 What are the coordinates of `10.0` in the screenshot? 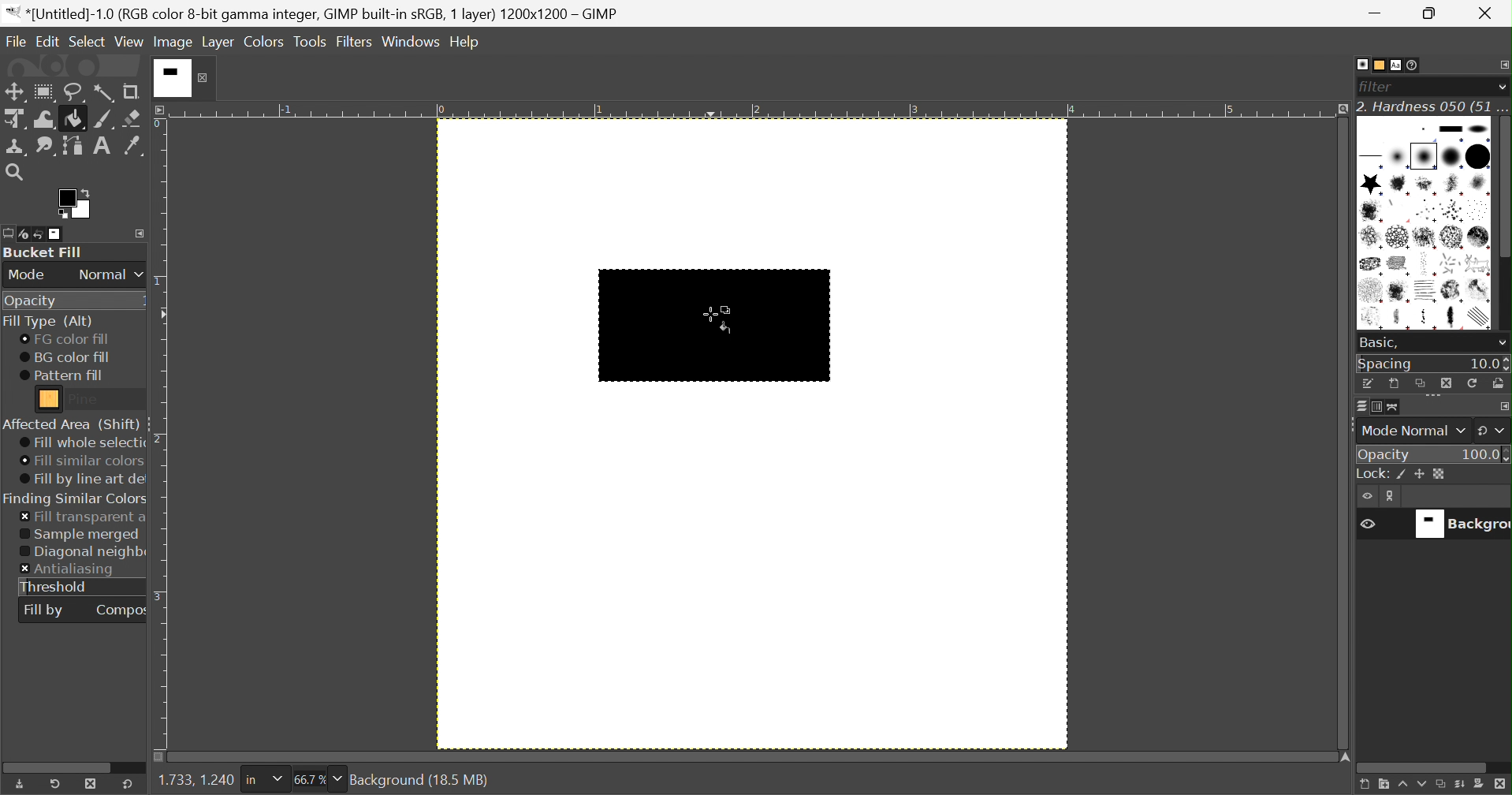 It's located at (1489, 364).